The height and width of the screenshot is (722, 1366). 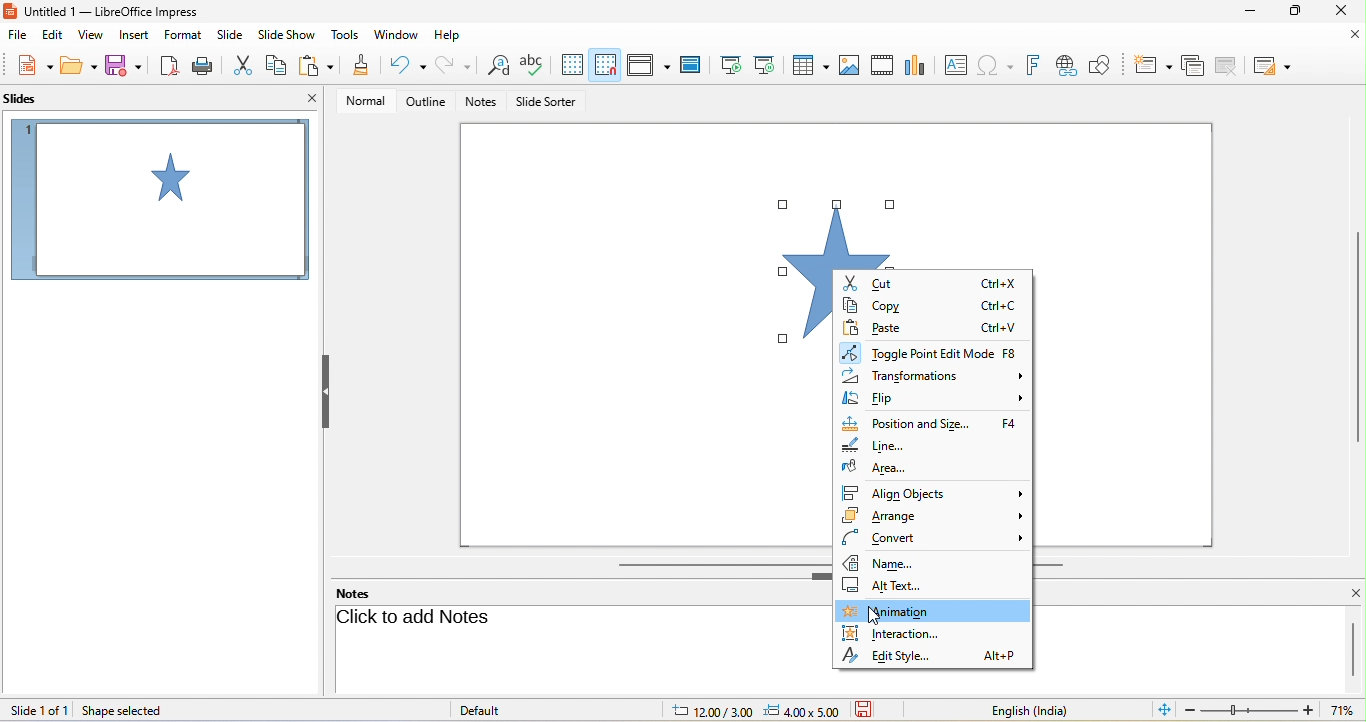 What do you see at coordinates (33, 65) in the screenshot?
I see `new` at bounding box center [33, 65].